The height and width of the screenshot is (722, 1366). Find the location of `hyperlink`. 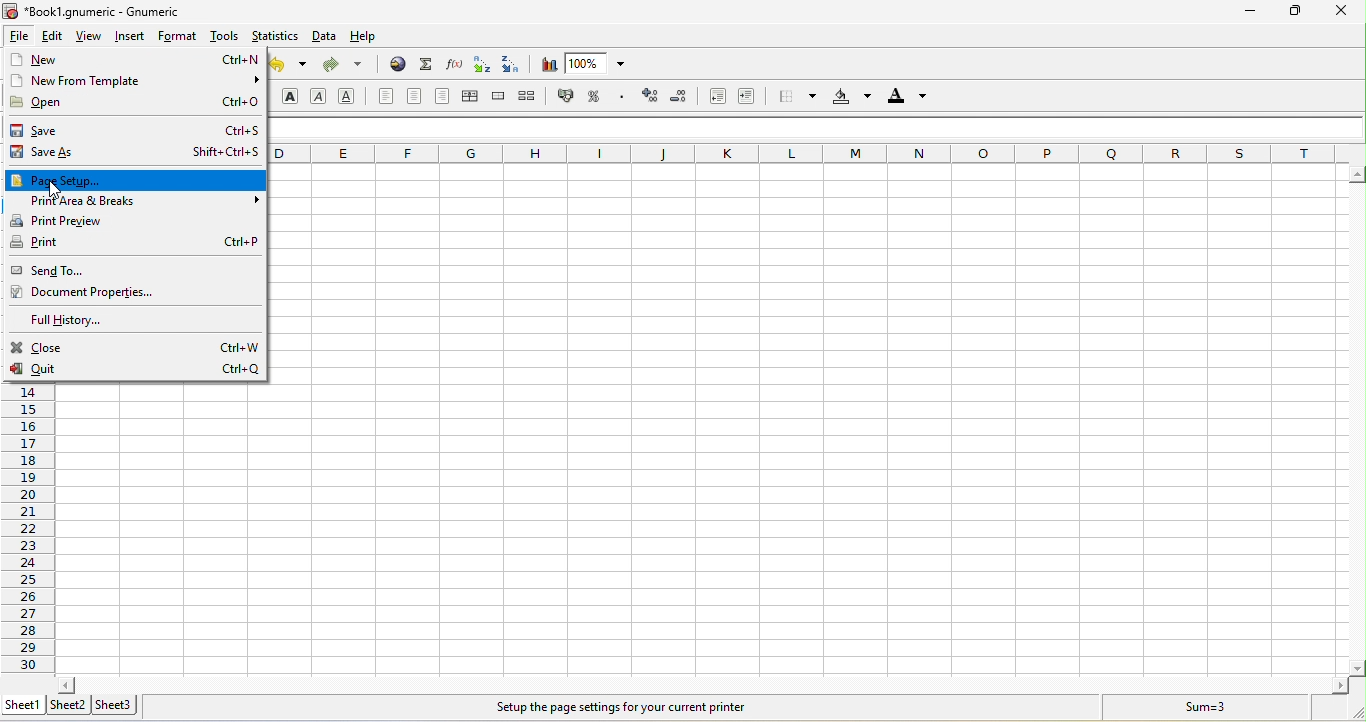

hyperlink is located at coordinates (395, 65).